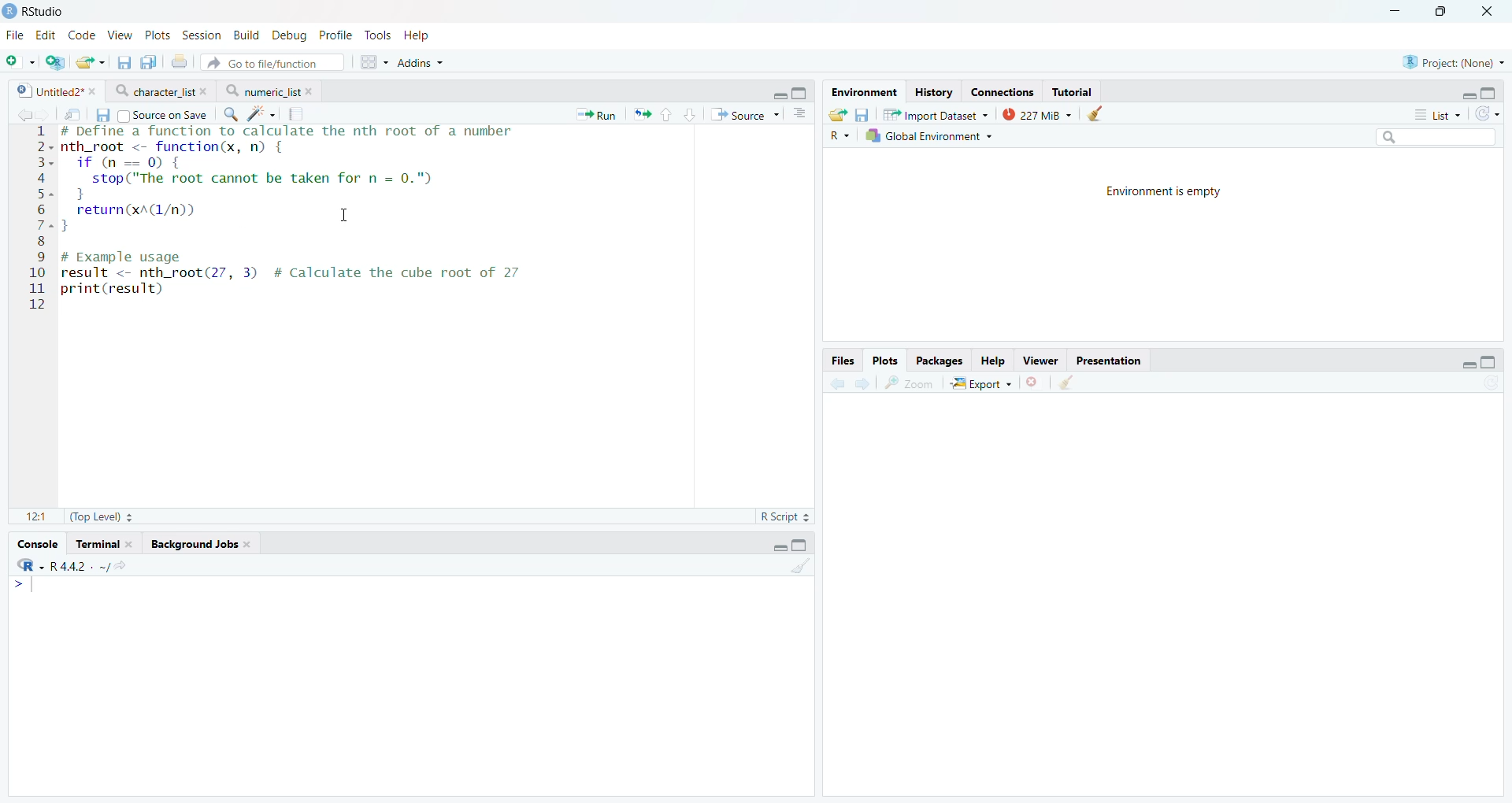 The image size is (1512, 803). Describe the element at coordinates (248, 35) in the screenshot. I see `Build` at that location.